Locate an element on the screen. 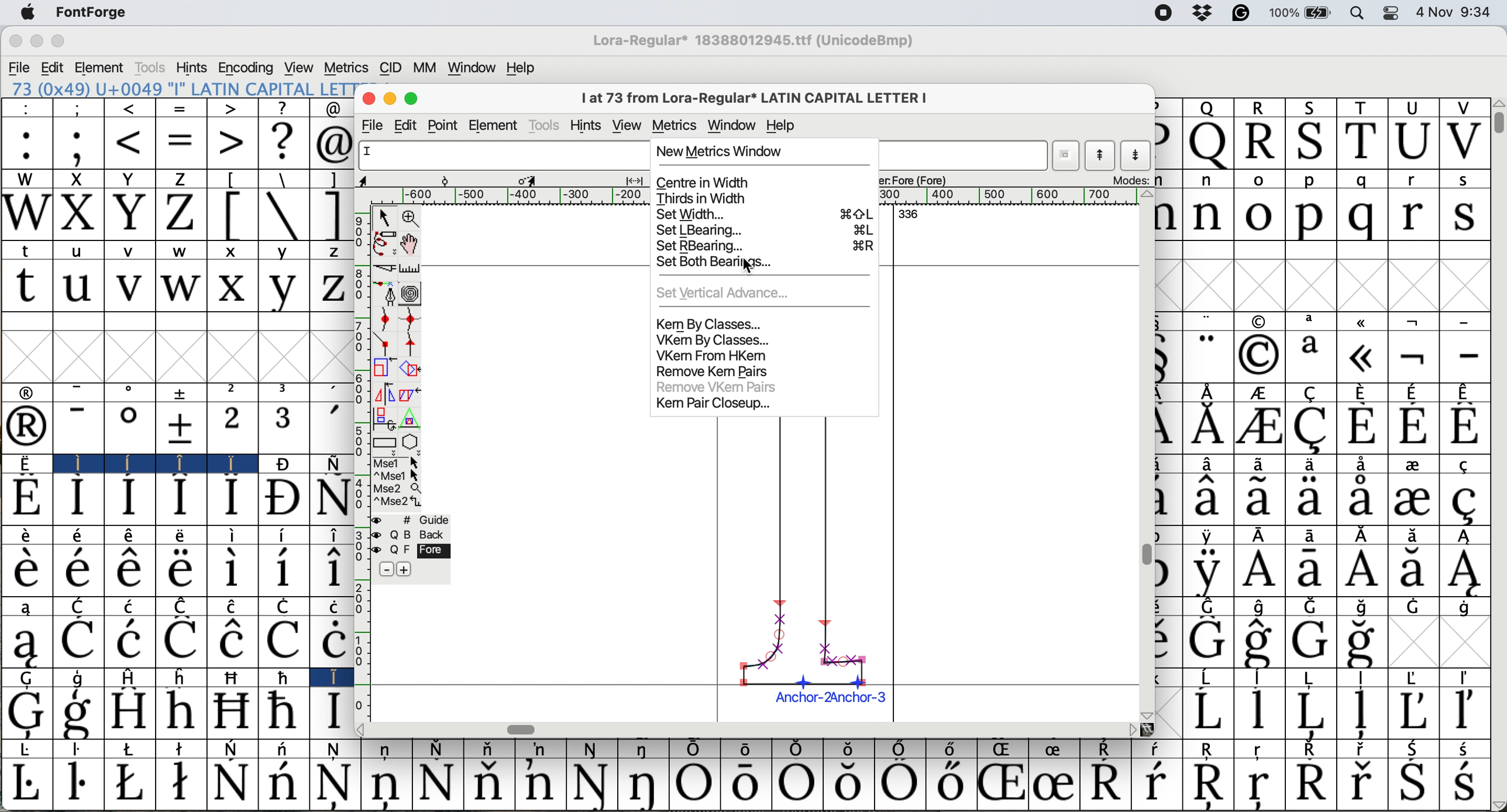  Symbol is located at coordinates (1210, 784).